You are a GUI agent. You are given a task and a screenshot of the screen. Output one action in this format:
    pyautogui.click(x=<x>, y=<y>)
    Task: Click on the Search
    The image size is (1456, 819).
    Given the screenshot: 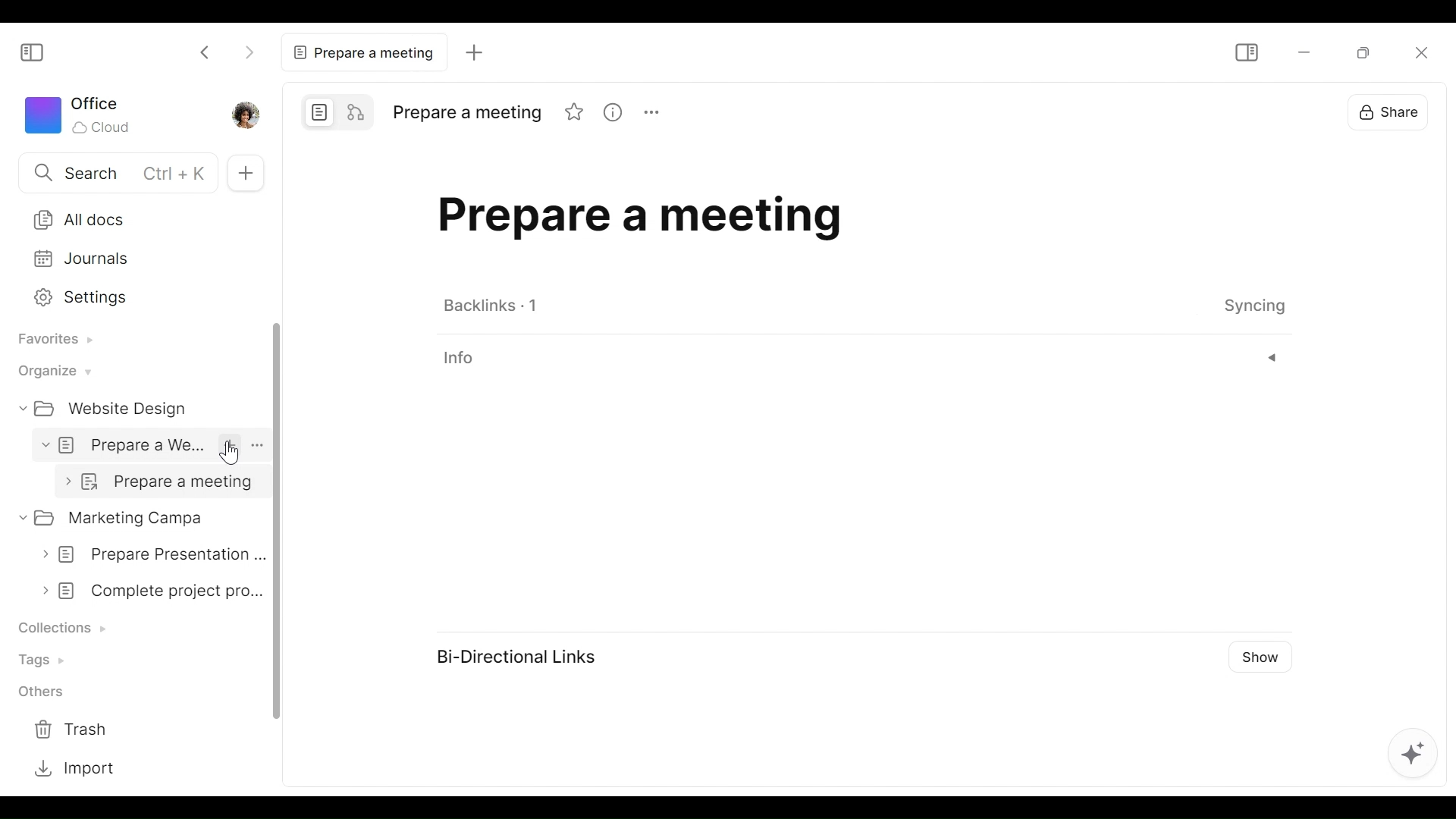 What is the action you would take?
    pyautogui.click(x=108, y=171)
    